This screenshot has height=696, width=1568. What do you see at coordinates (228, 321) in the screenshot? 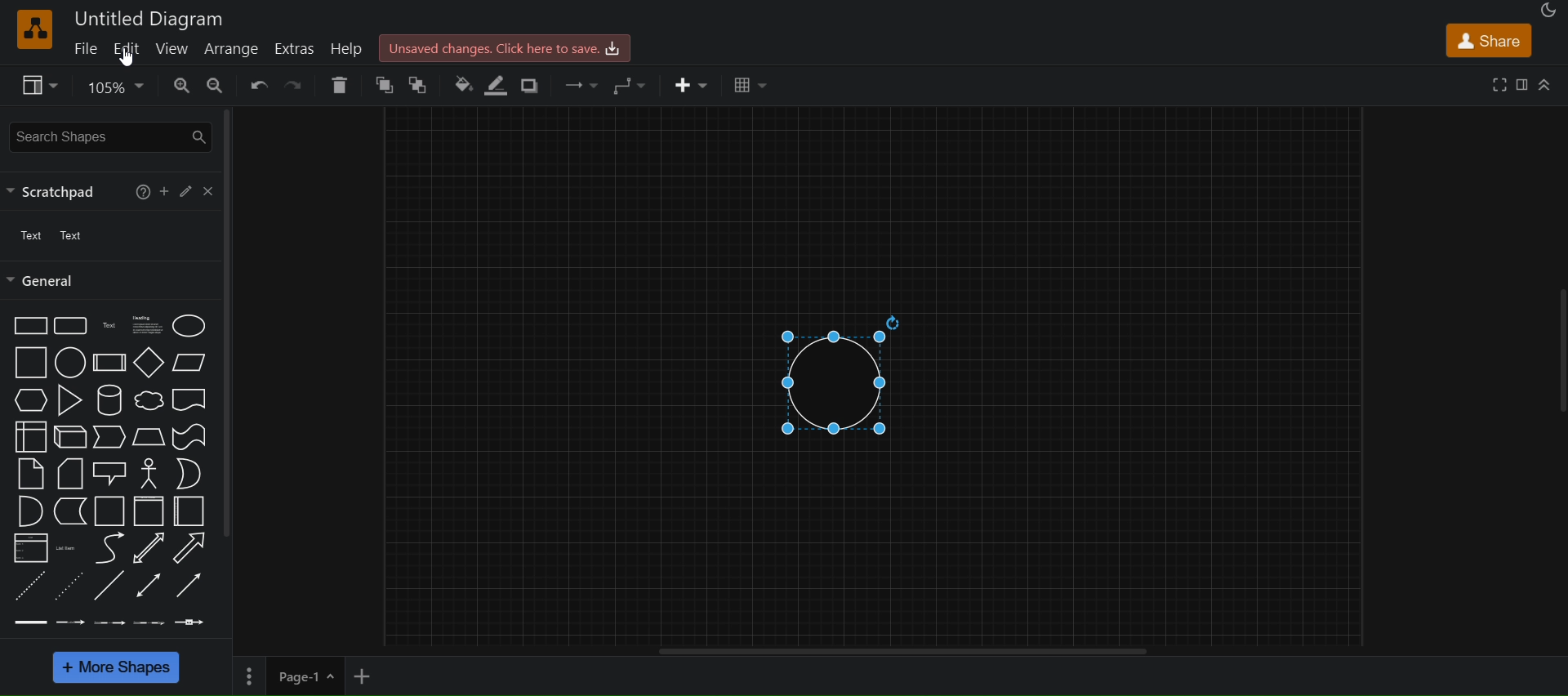
I see `vertical scroll bar` at bounding box center [228, 321].